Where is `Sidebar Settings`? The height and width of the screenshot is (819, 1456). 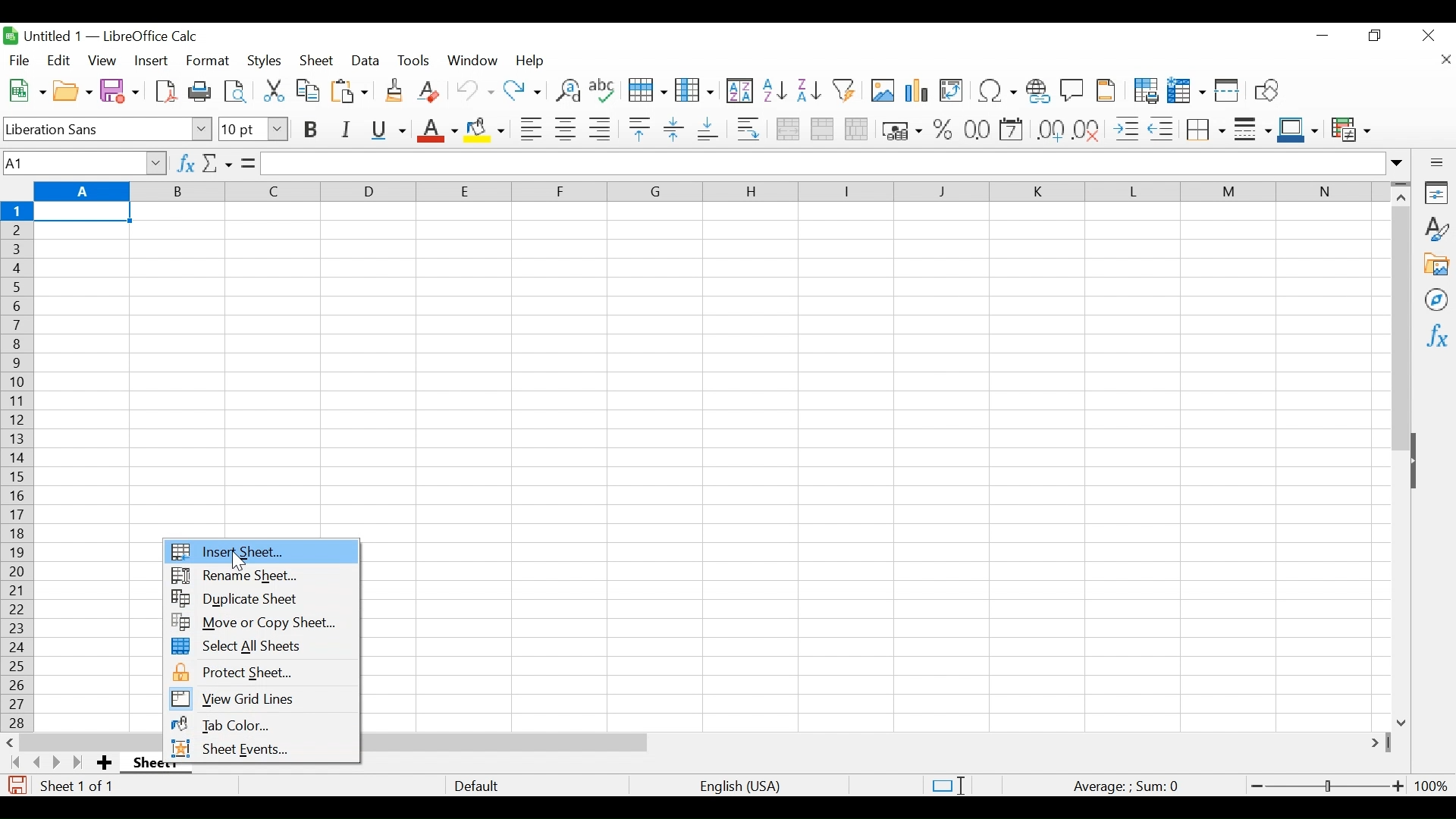 Sidebar Settings is located at coordinates (1436, 162).